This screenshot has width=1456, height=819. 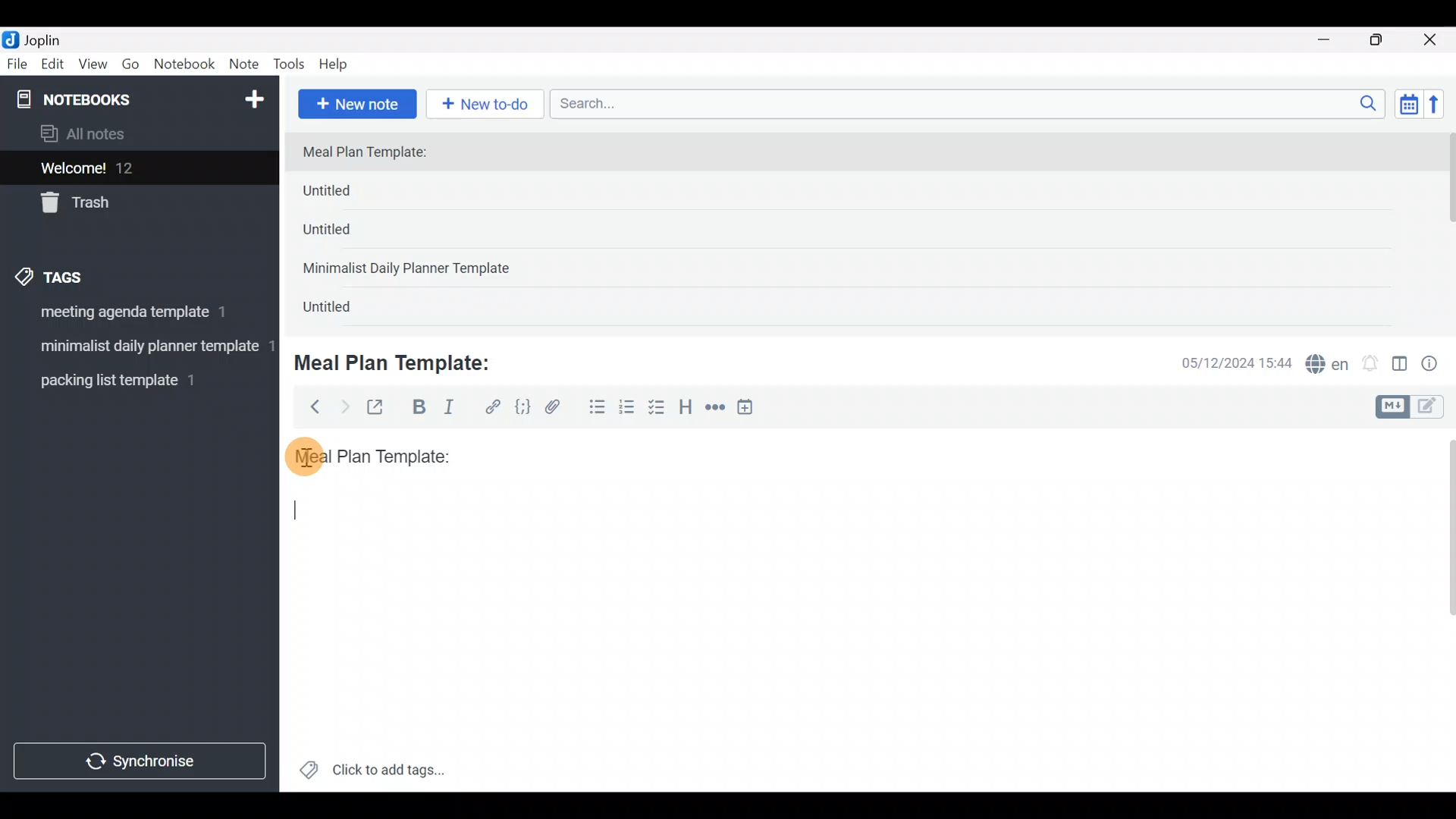 I want to click on All notes, so click(x=136, y=135).